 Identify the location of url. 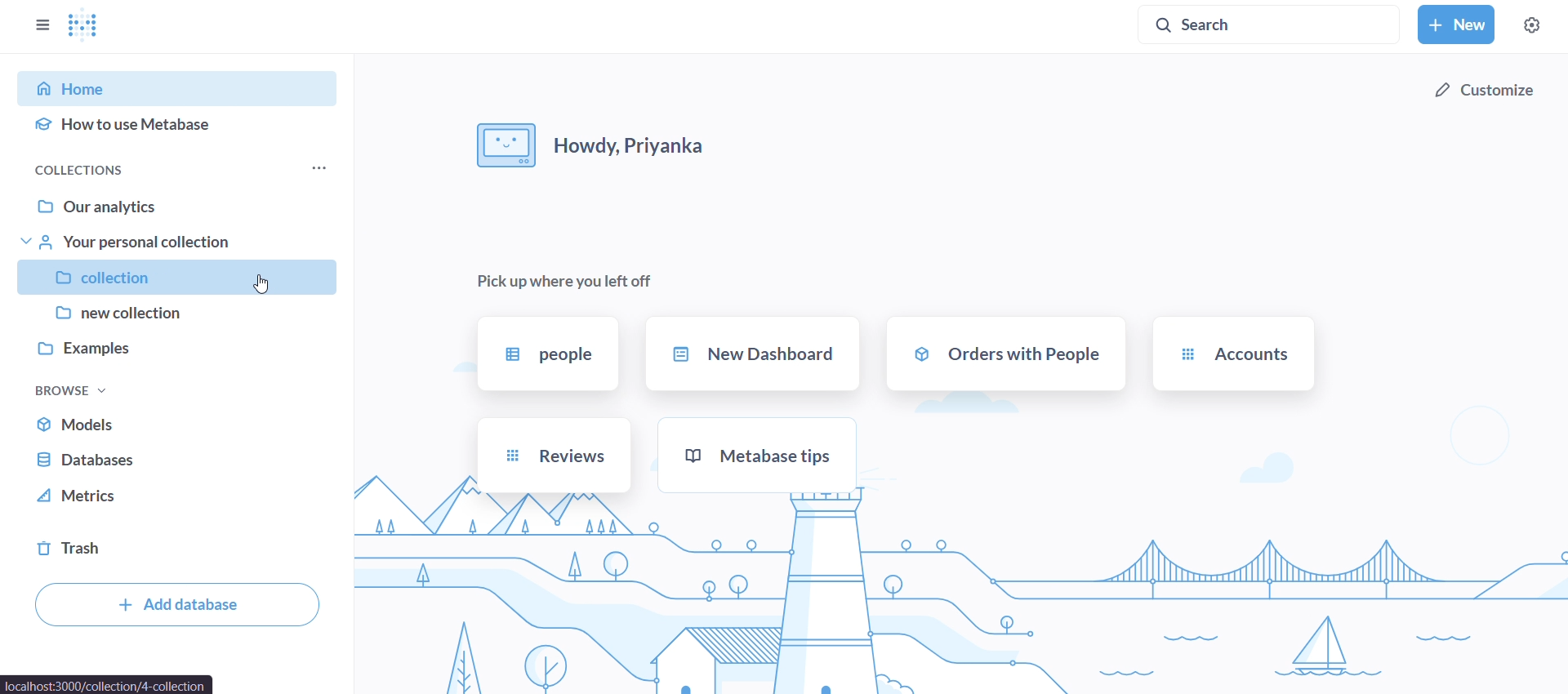
(108, 684).